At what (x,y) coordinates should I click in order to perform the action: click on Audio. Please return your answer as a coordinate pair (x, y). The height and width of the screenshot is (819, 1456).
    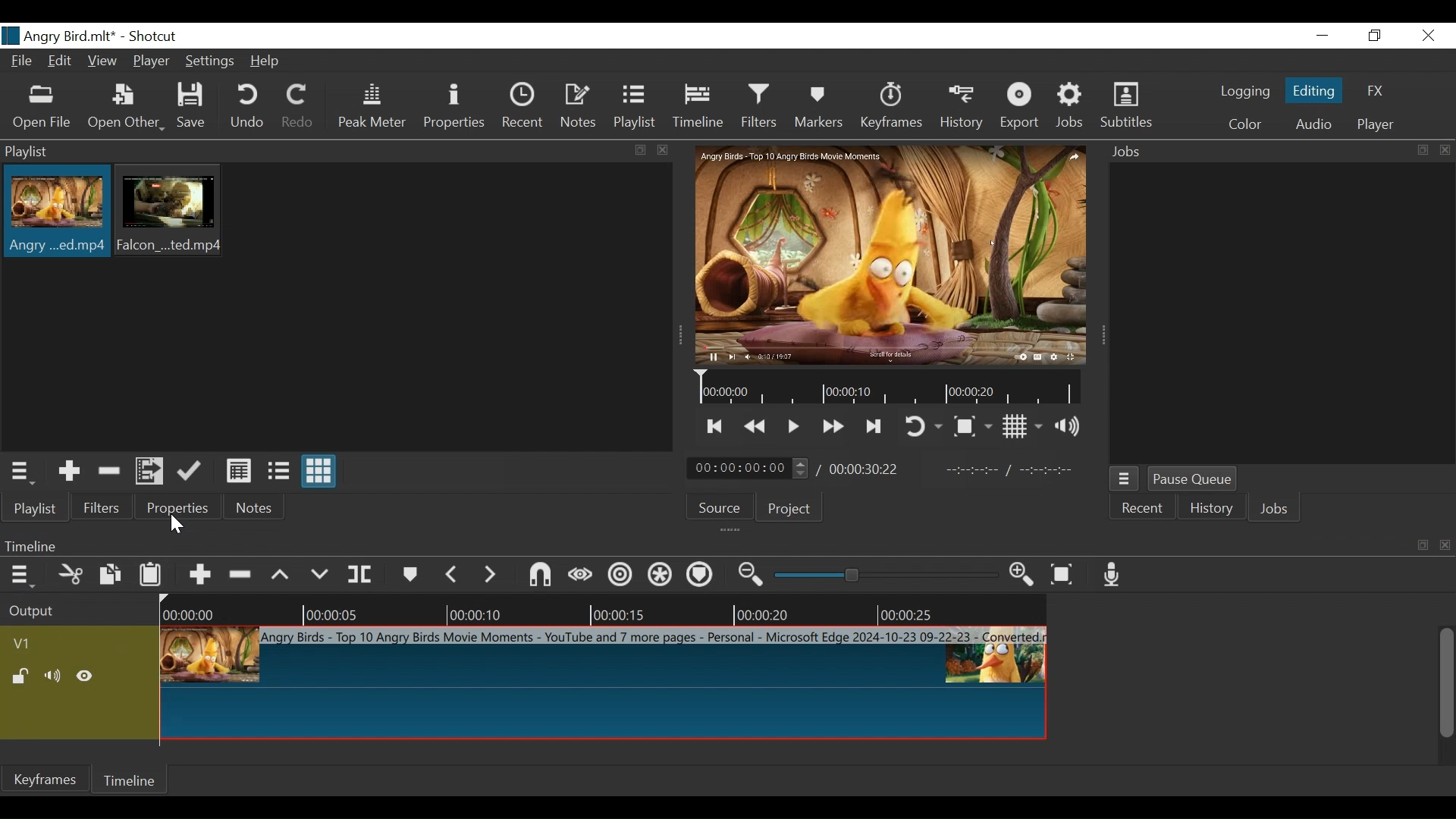
    Looking at the image, I should click on (1313, 124).